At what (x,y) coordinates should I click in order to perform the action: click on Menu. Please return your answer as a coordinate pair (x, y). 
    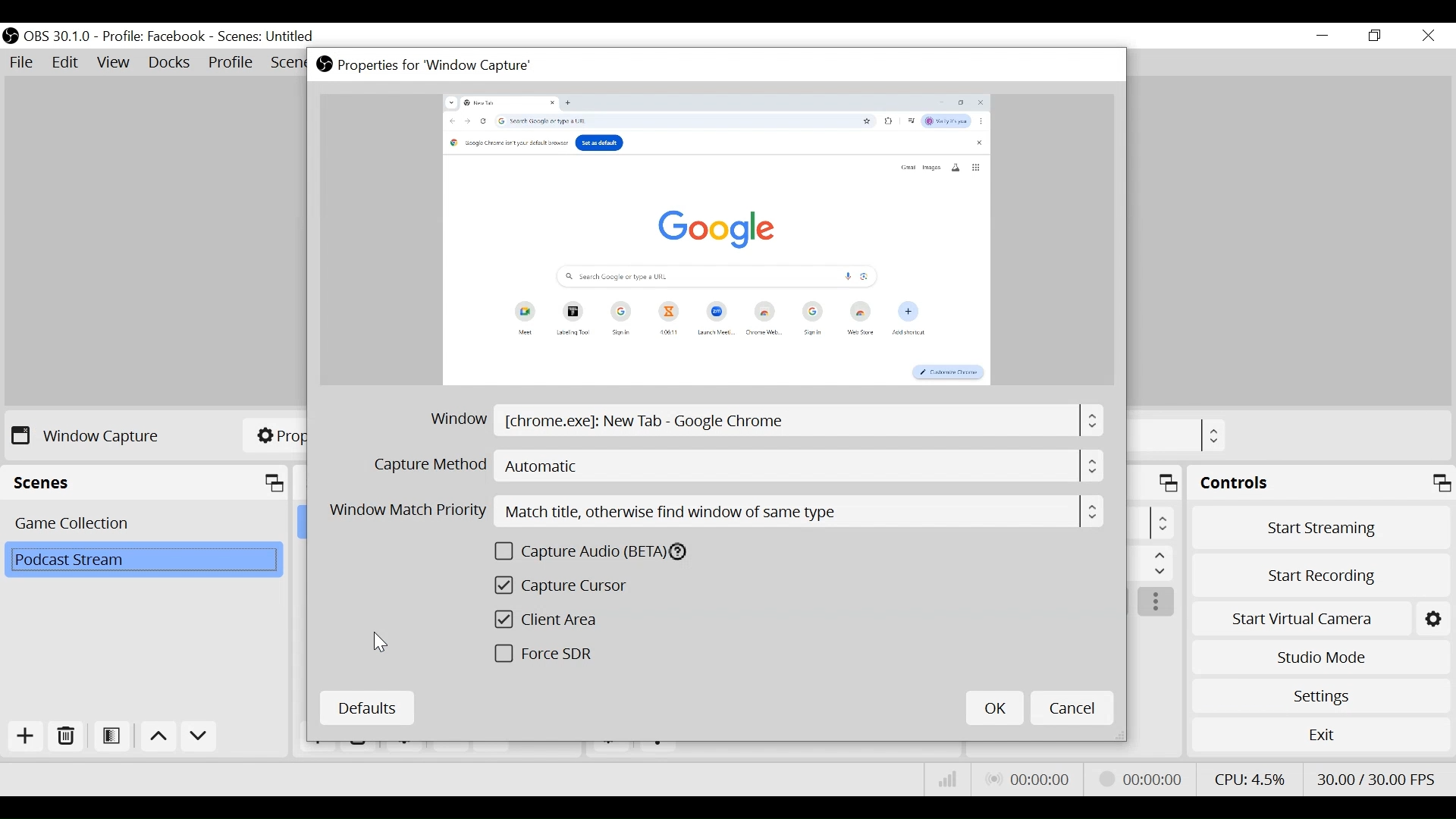
    Looking at the image, I should click on (1159, 563).